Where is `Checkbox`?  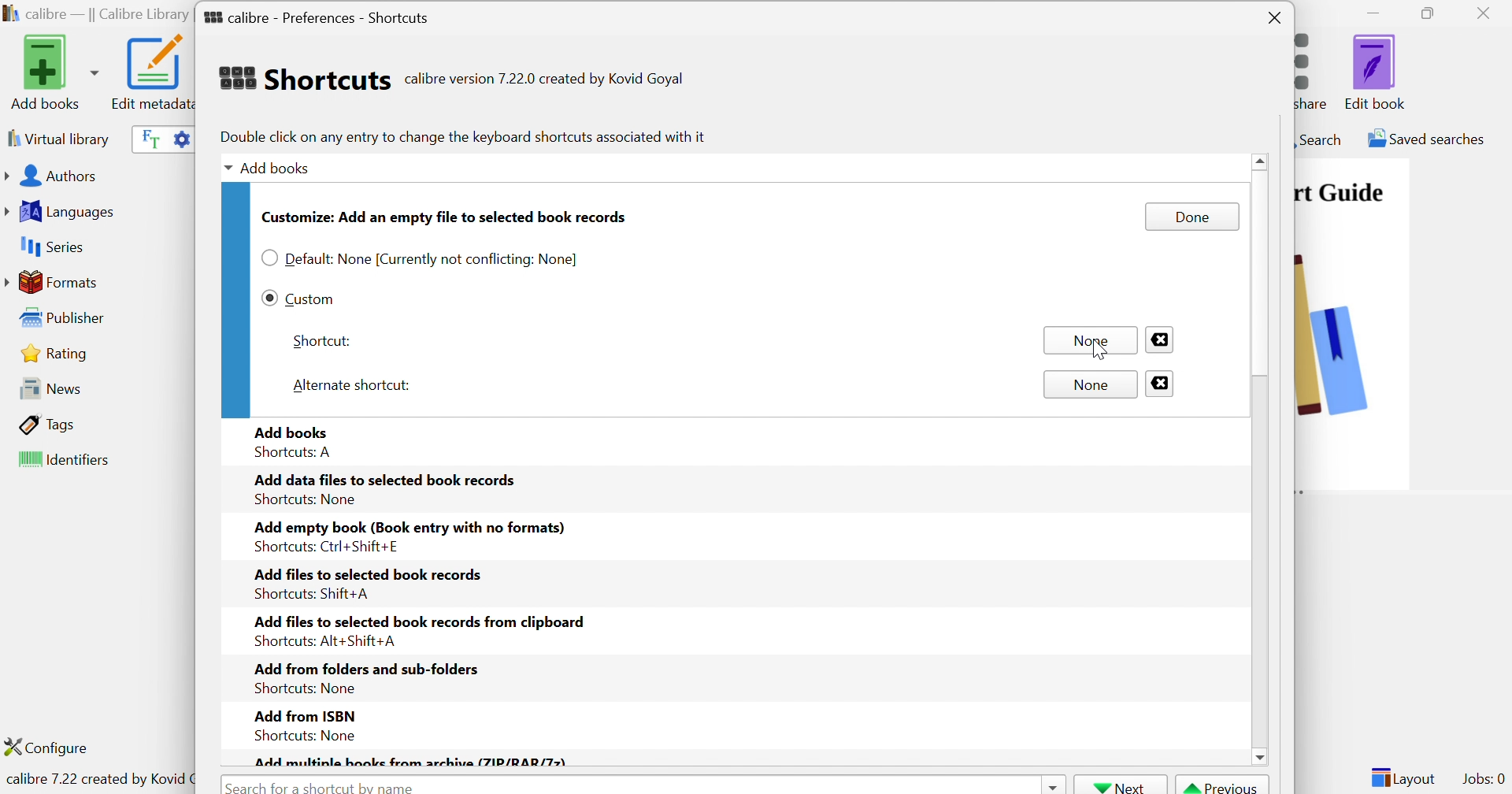
Checkbox is located at coordinates (269, 258).